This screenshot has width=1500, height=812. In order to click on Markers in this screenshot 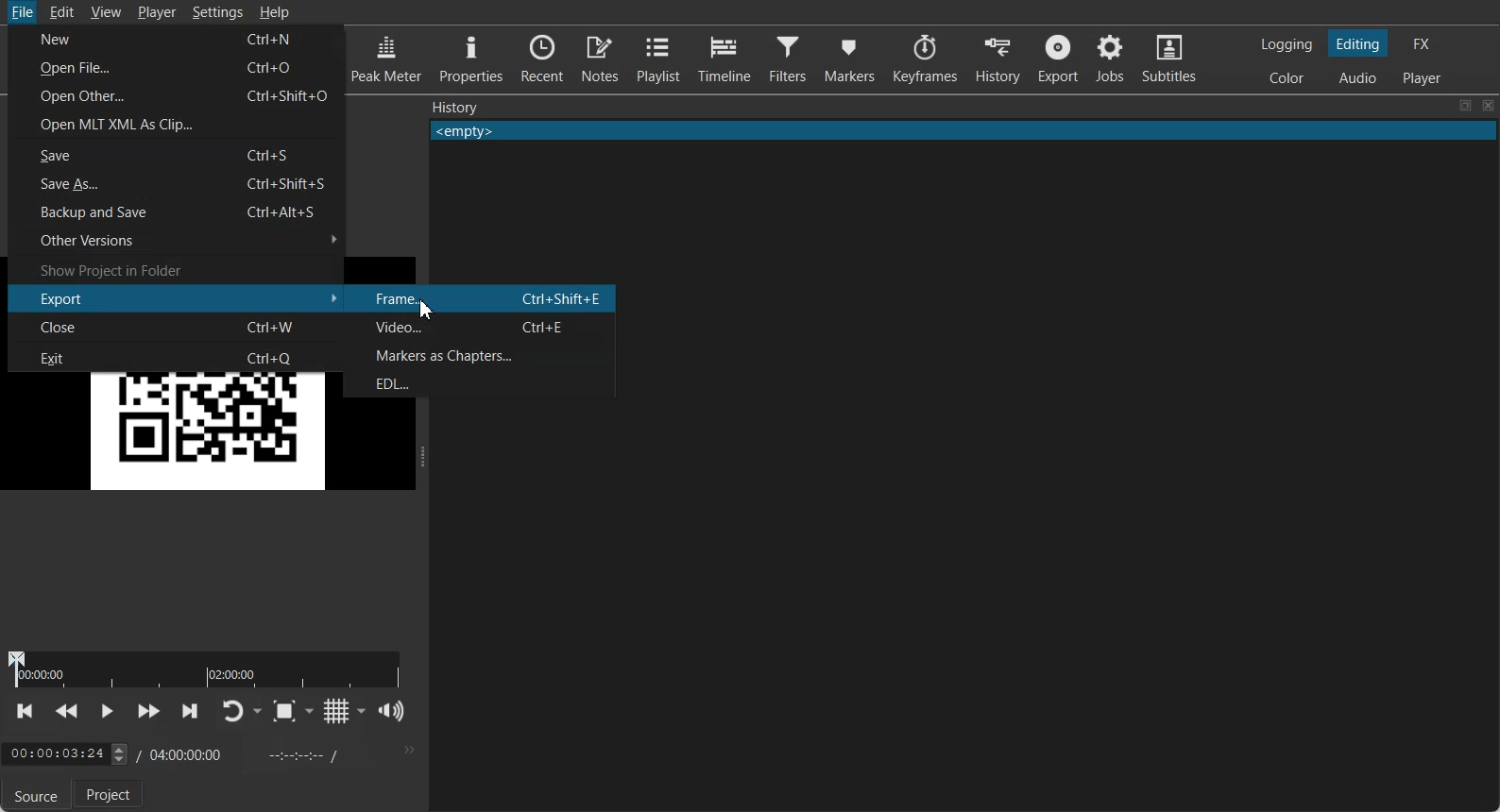, I will do `click(850, 58)`.